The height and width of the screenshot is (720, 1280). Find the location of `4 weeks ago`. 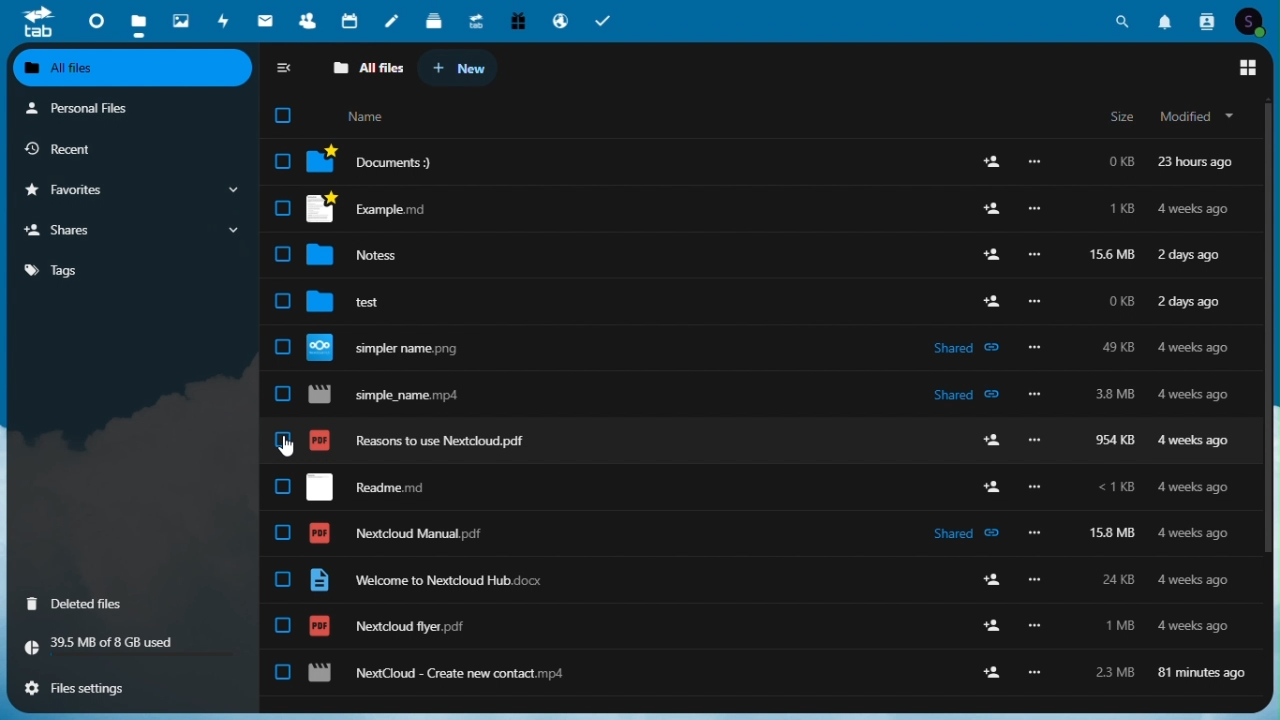

4 weeks ago is located at coordinates (1192, 534).